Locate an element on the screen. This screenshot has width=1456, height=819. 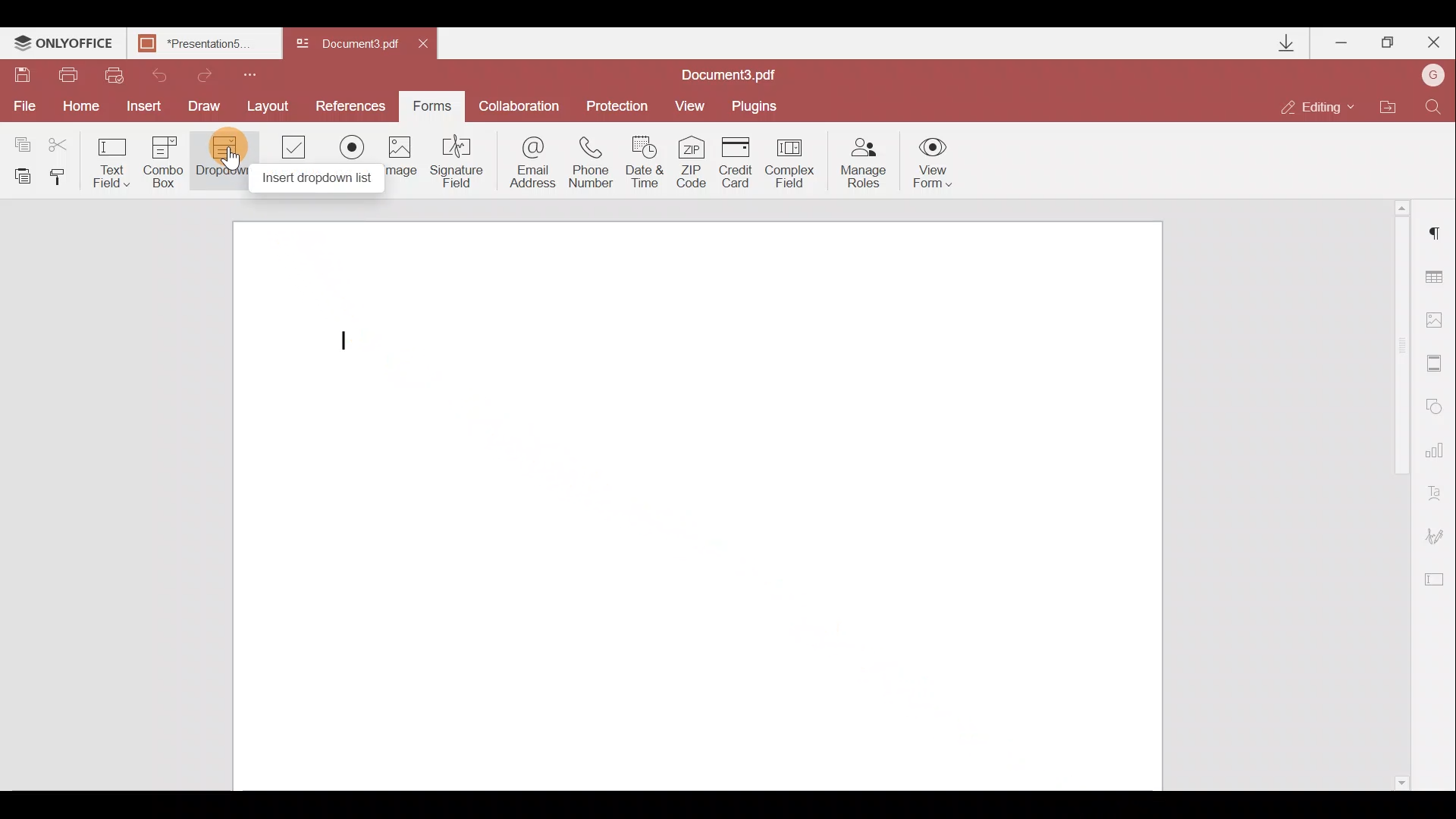
Quick print is located at coordinates (112, 74).